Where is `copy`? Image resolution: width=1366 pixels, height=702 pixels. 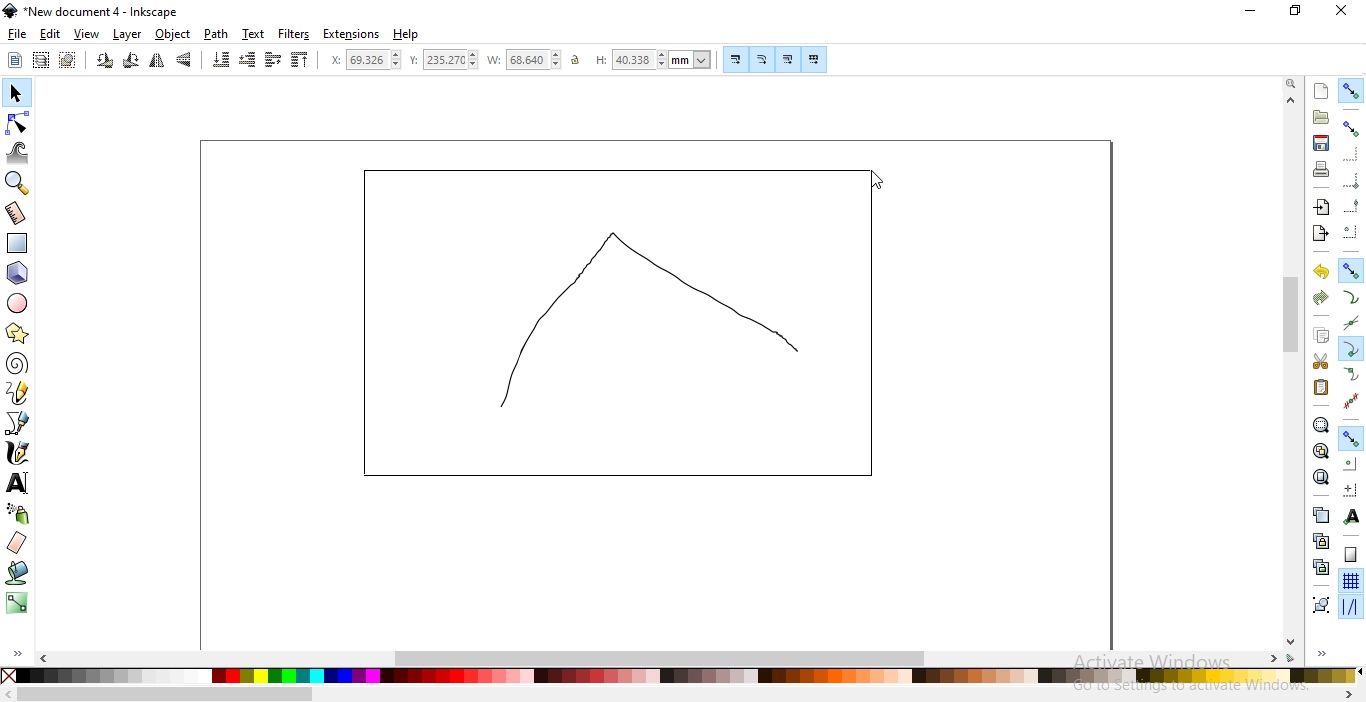 copy is located at coordinates (1320, 333).